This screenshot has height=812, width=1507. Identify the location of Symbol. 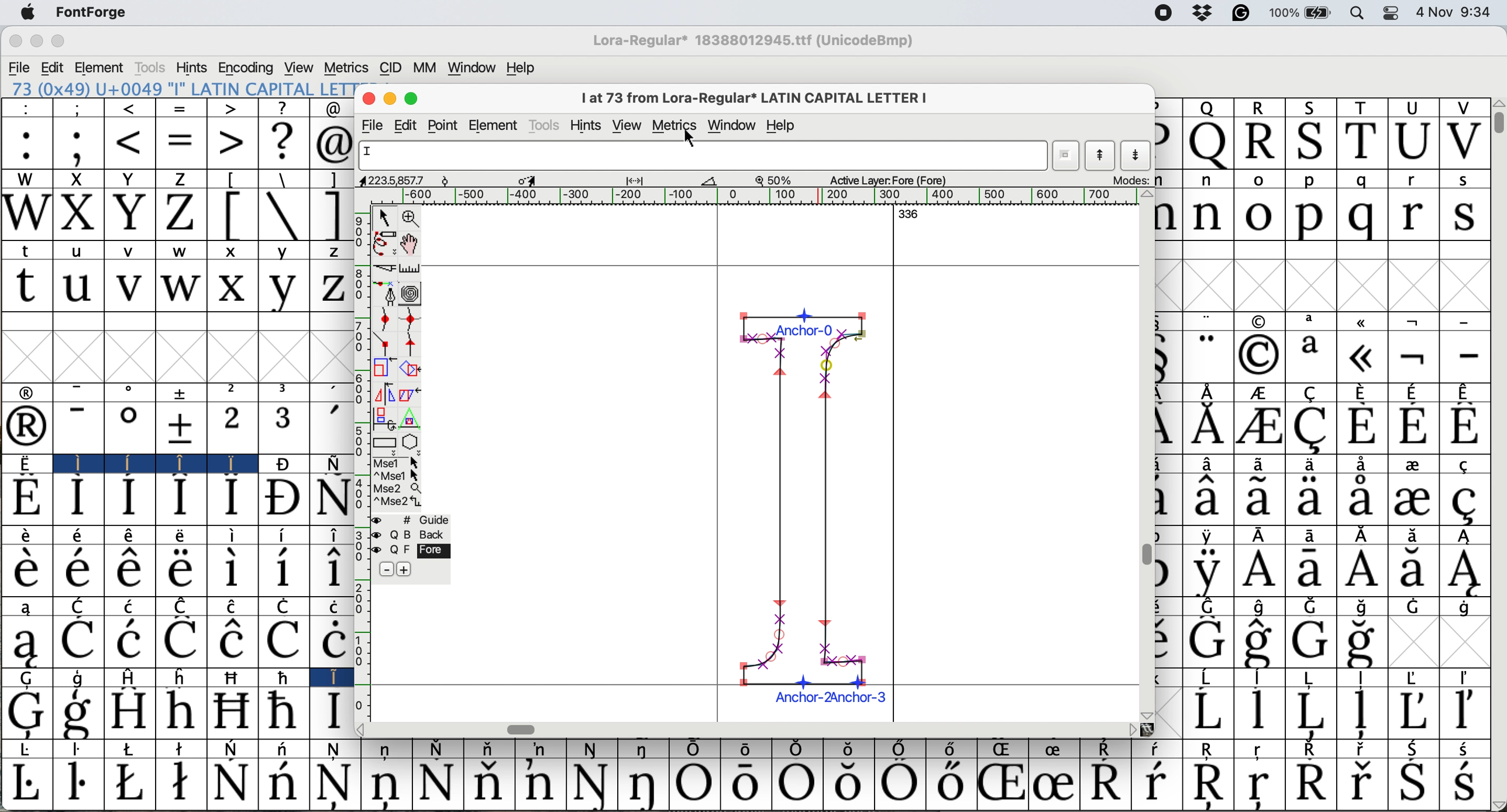
(1108, 749).